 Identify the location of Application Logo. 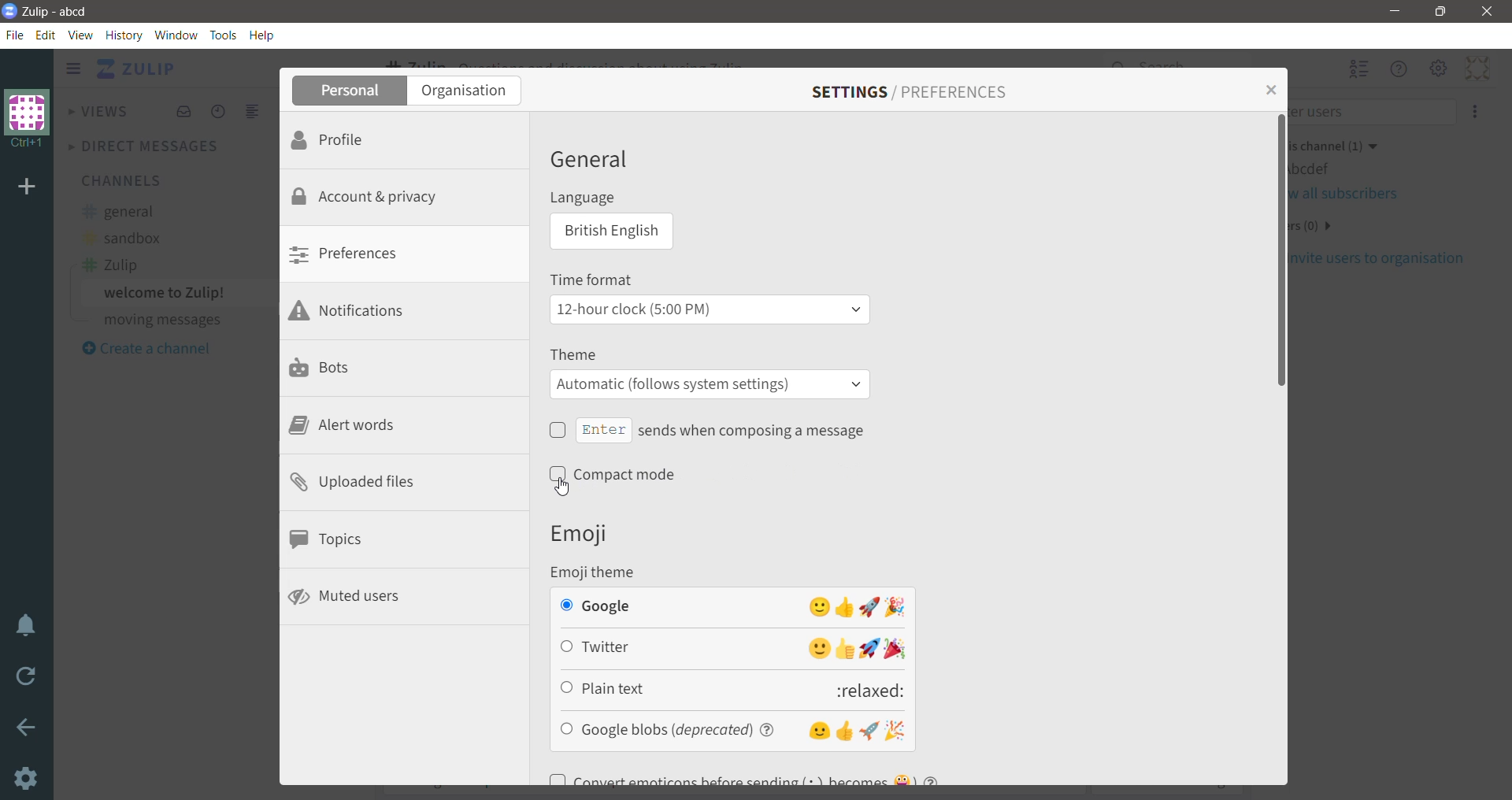
(9, 12).